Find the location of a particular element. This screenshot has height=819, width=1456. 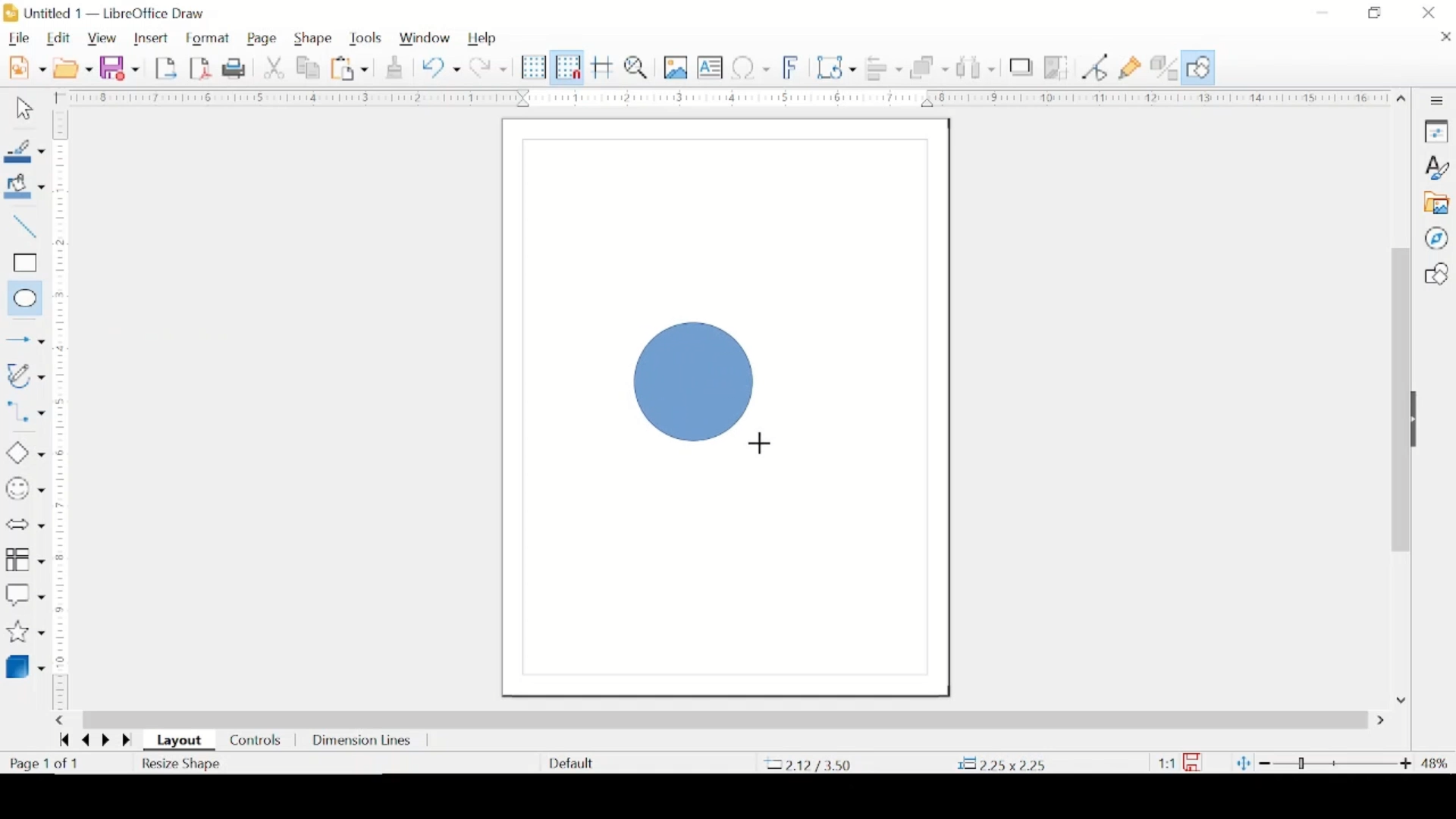

curves and polygons is located at coordinates (25, 375).